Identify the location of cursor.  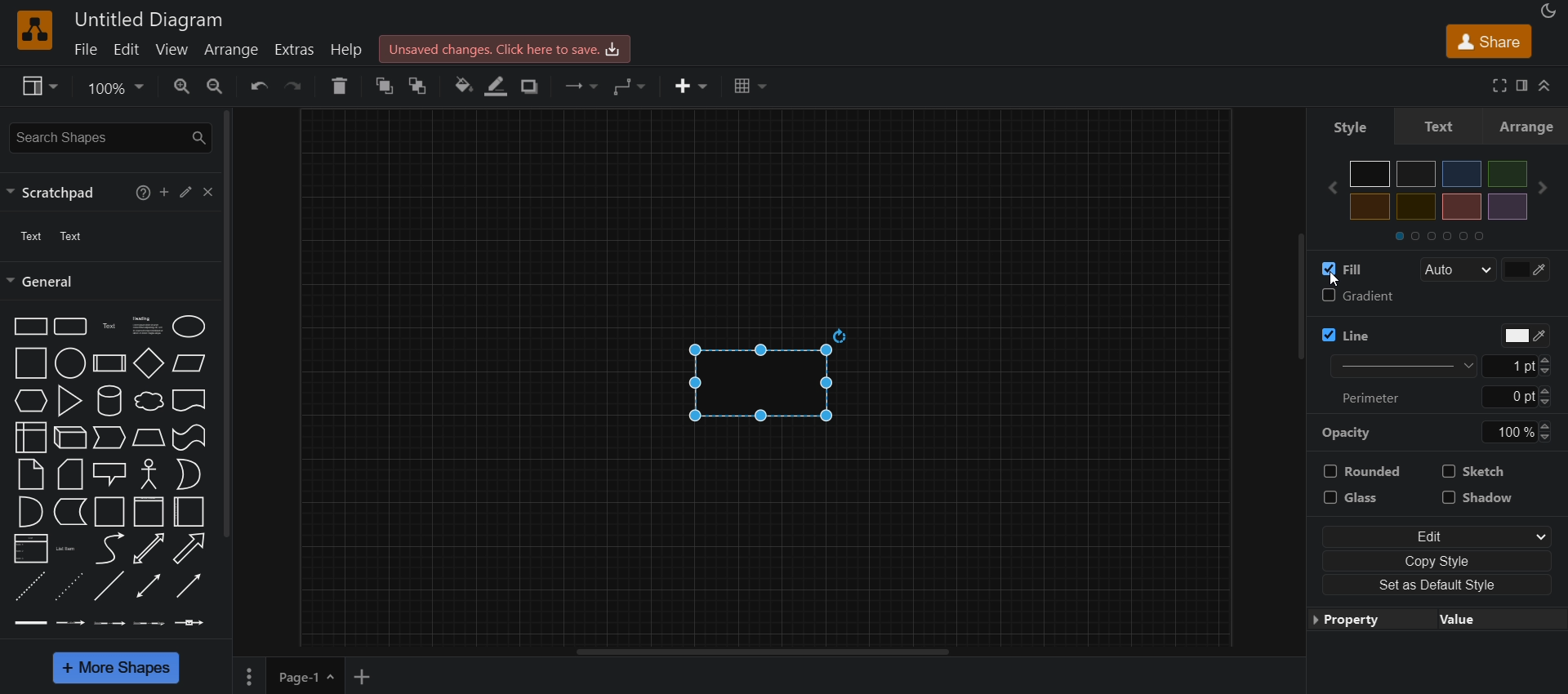
(1338, 281).